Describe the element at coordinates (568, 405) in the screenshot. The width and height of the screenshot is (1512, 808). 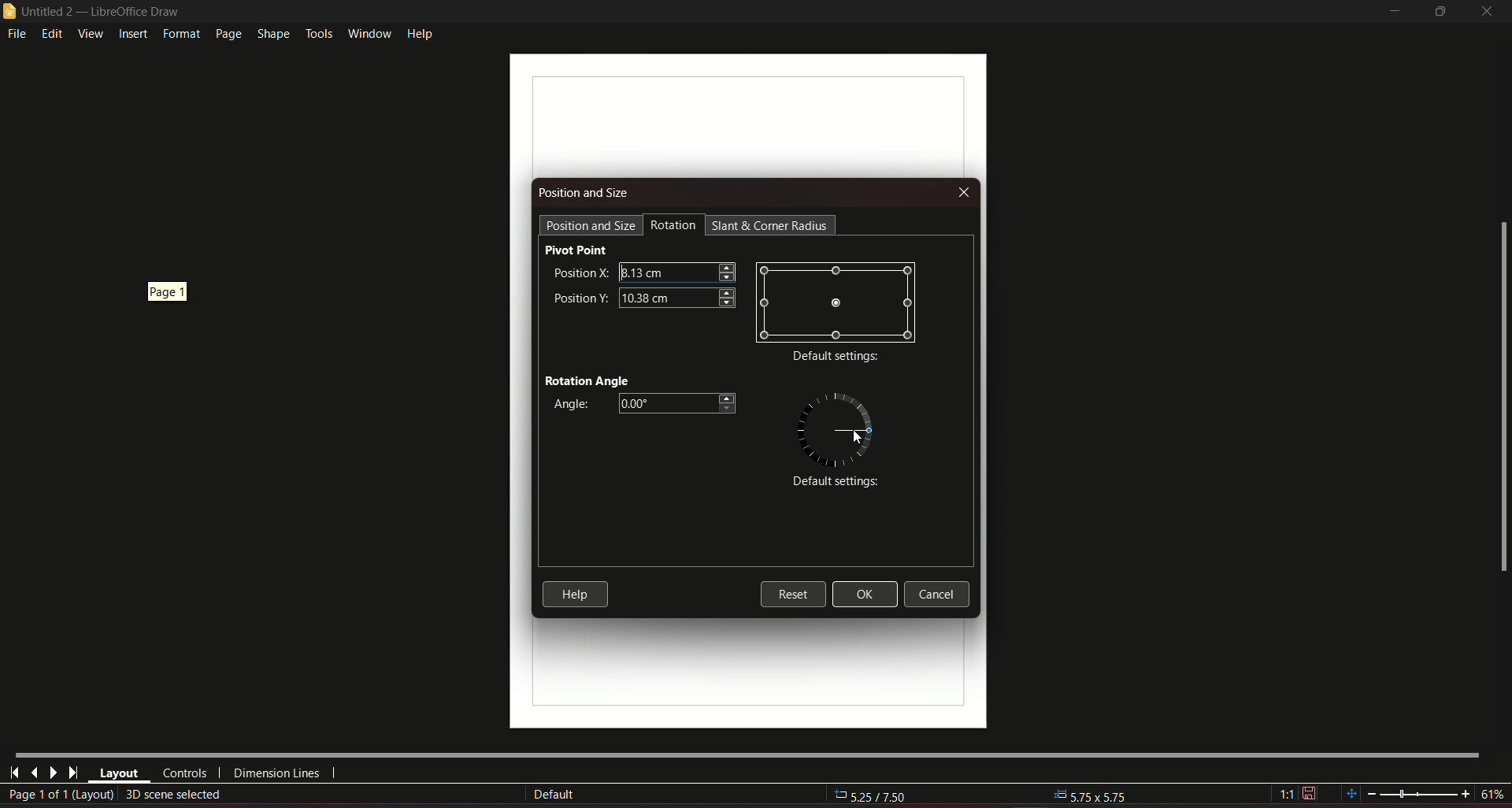
I see `Angle` at that location.